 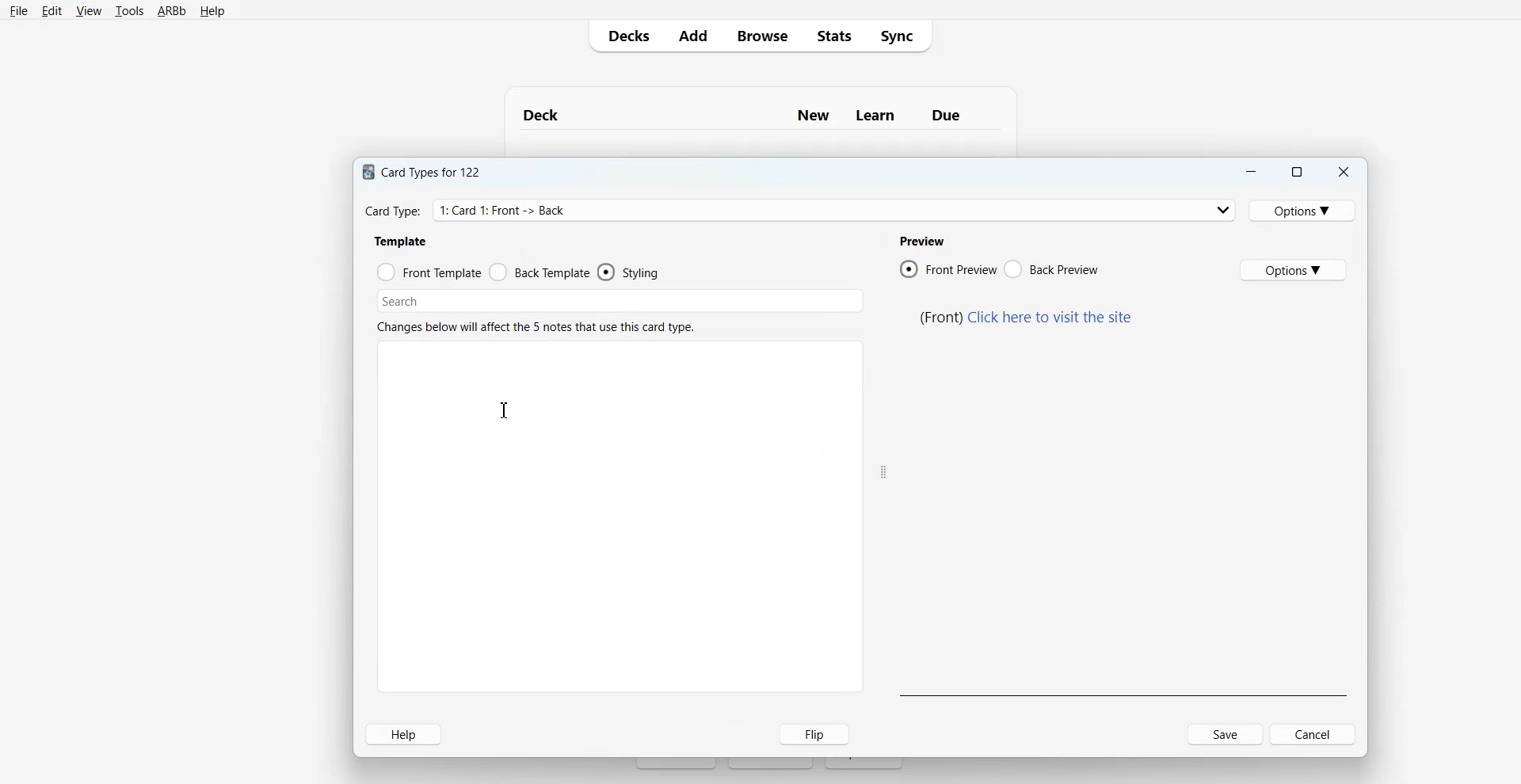 What do you see at coordinates (620, 299) in the screenshot?
I see `Search Bar` at bounding box center [620, 299].